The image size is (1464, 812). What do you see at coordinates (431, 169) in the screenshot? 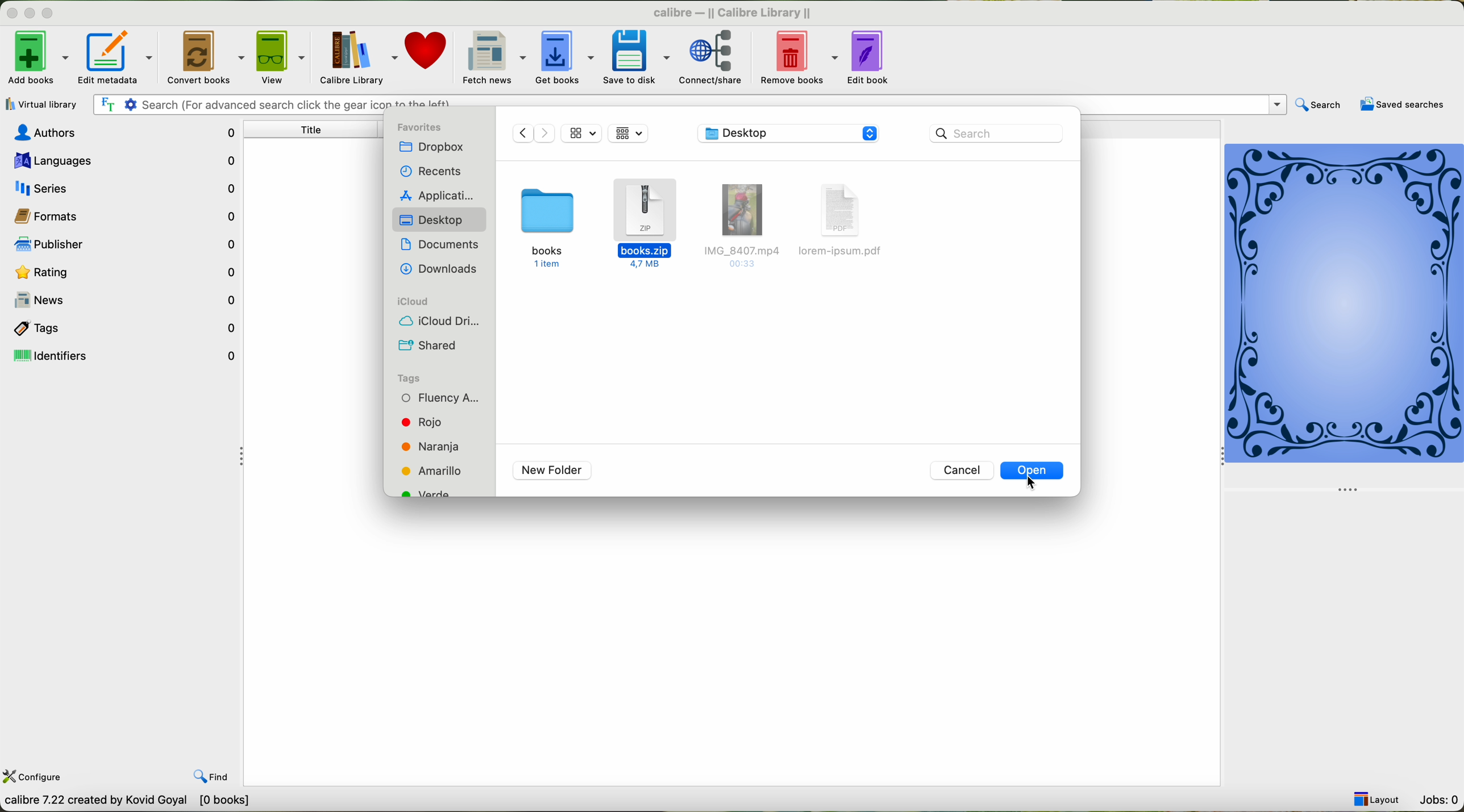
I see `recents` at bounding box center [431, 169].